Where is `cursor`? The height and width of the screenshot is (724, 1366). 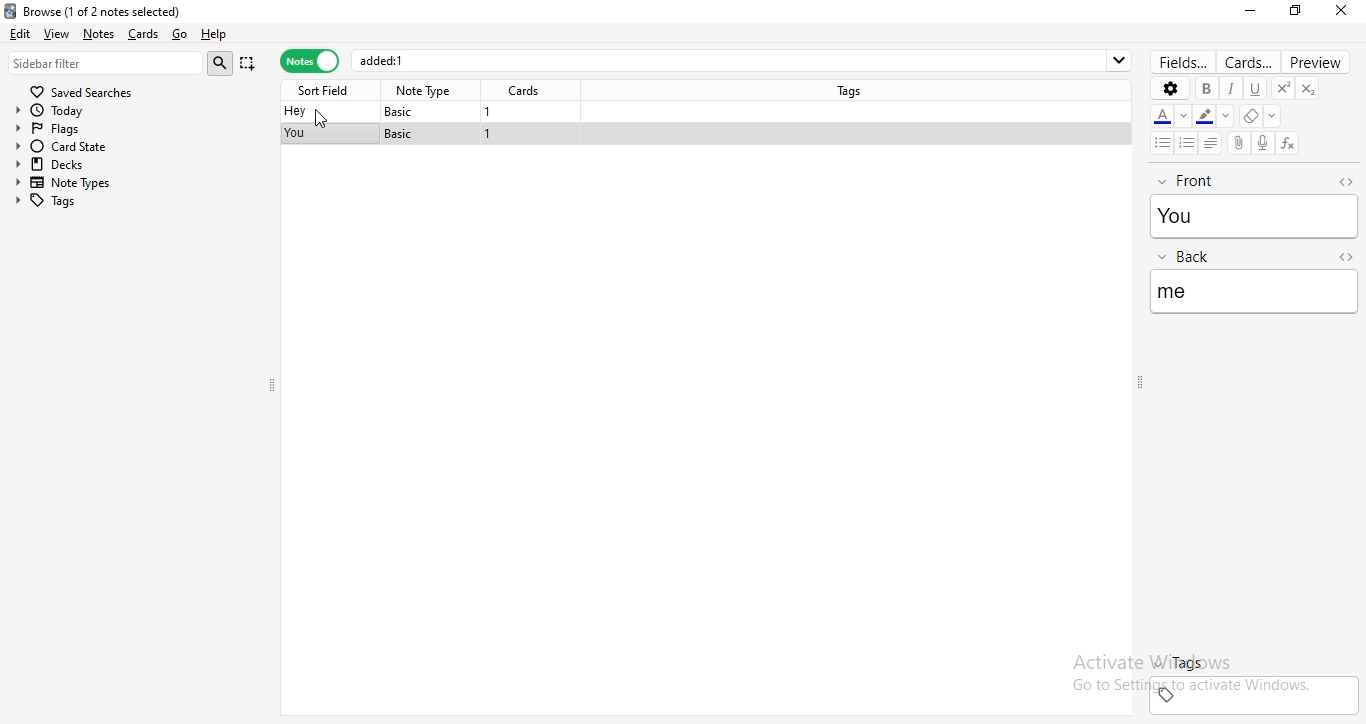 cursor is located at coordinates (322, 121).